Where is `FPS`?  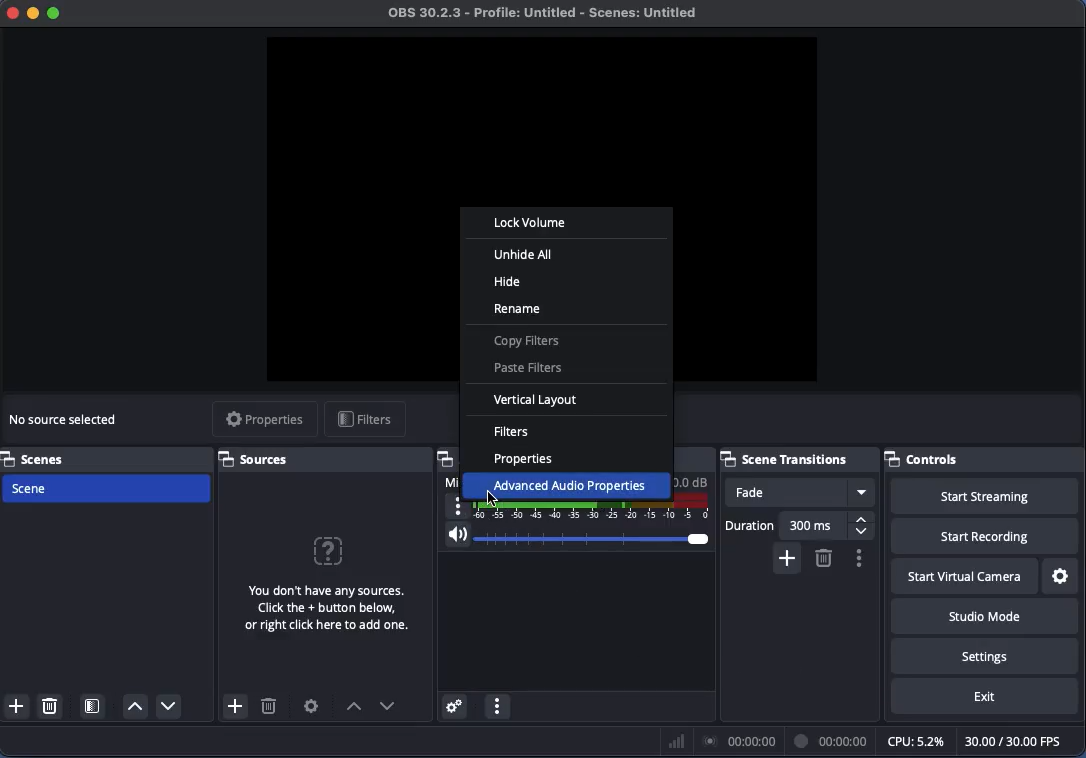 FPS is located at coordinates (1022, 741).